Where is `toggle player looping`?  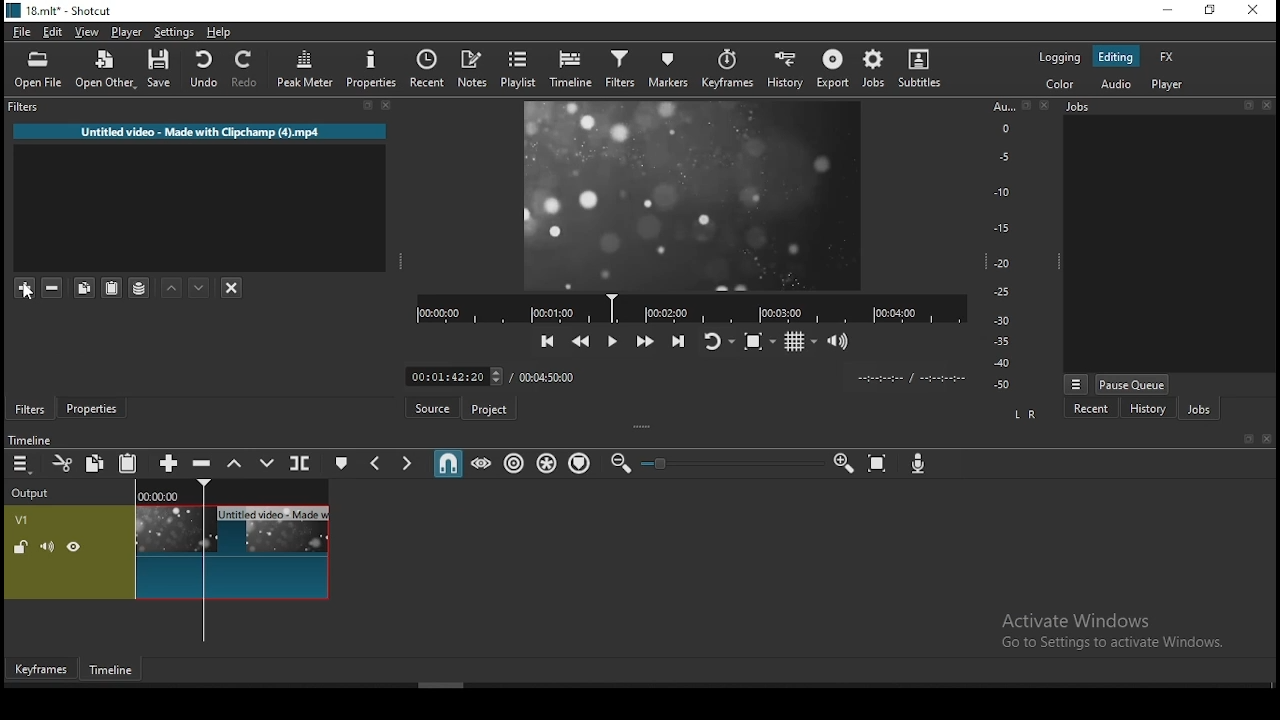
toggle player looping is located at coordinates (721, 341).